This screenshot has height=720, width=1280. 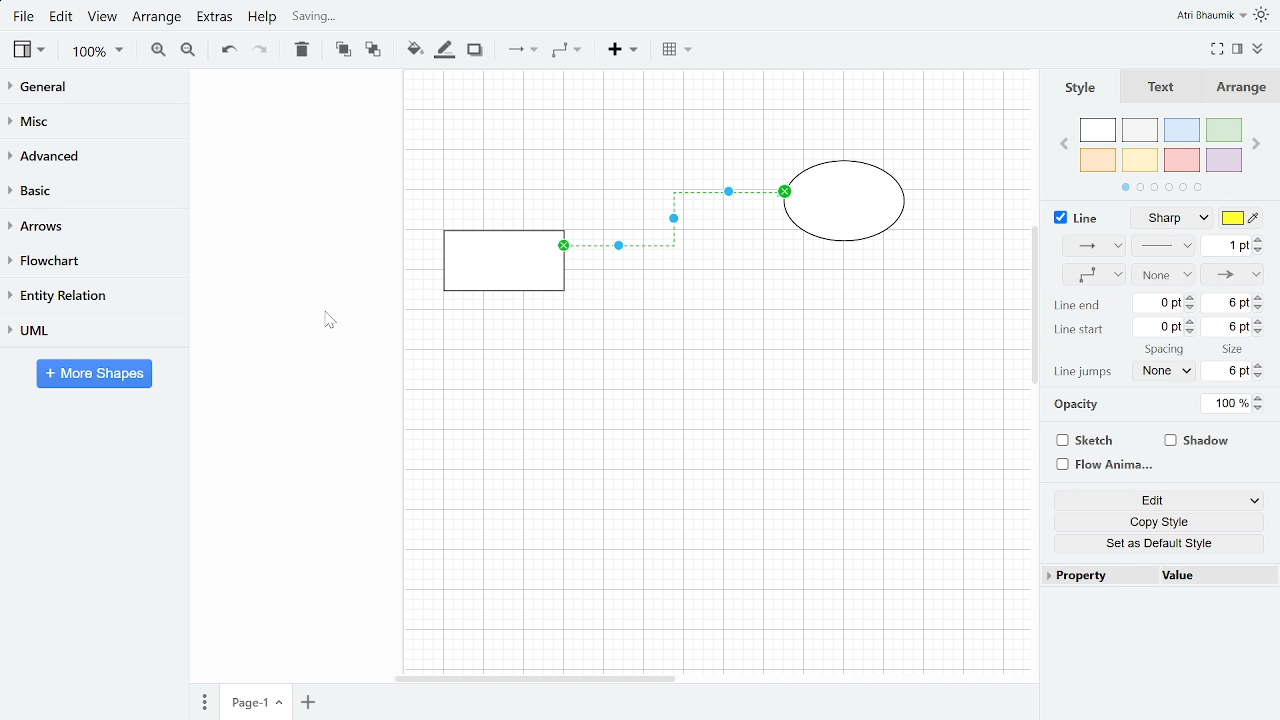 I want to click on Color of the connector changed to yellow, so click(x=677, y=229).